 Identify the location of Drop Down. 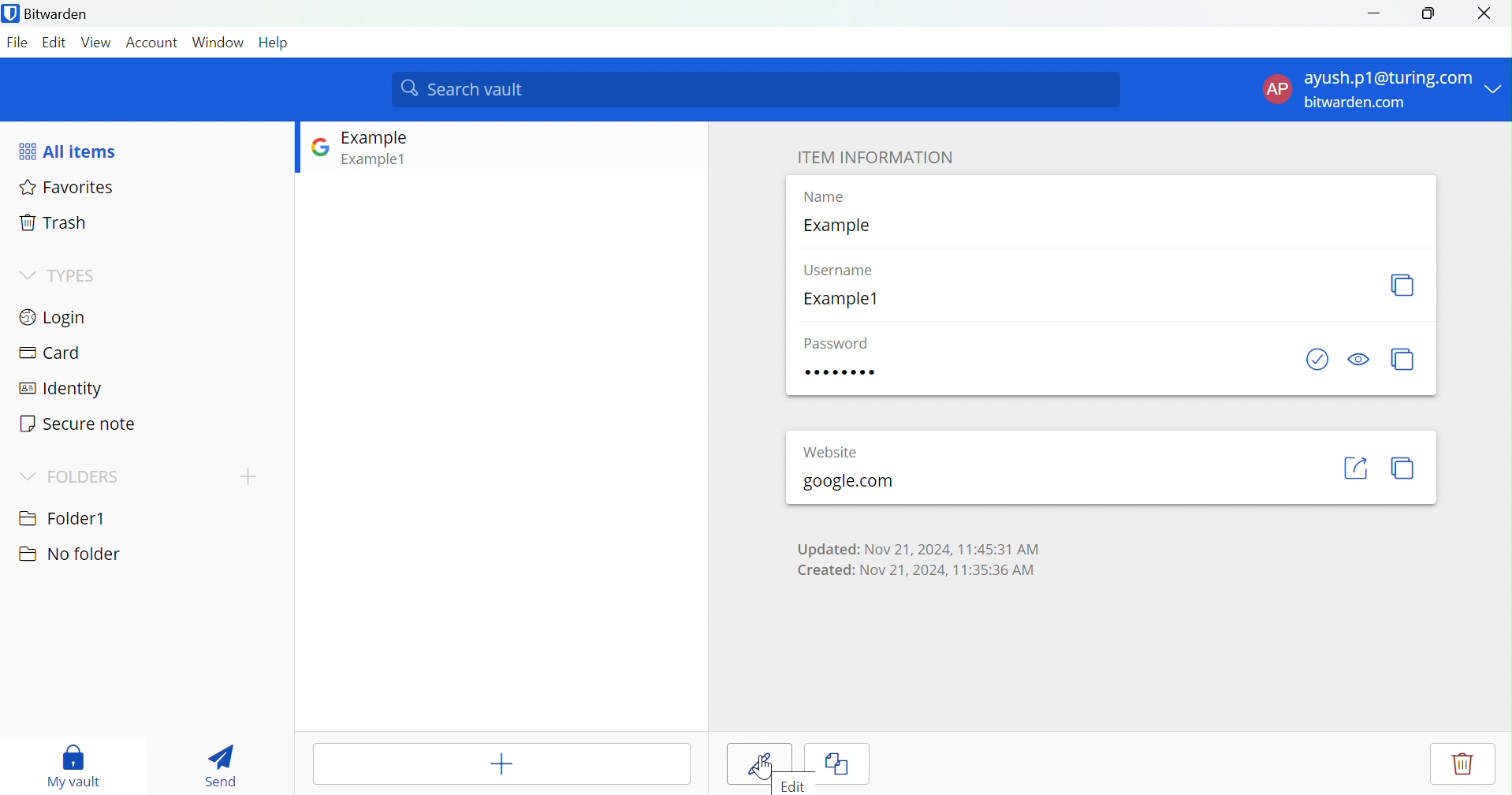
(27, 476).